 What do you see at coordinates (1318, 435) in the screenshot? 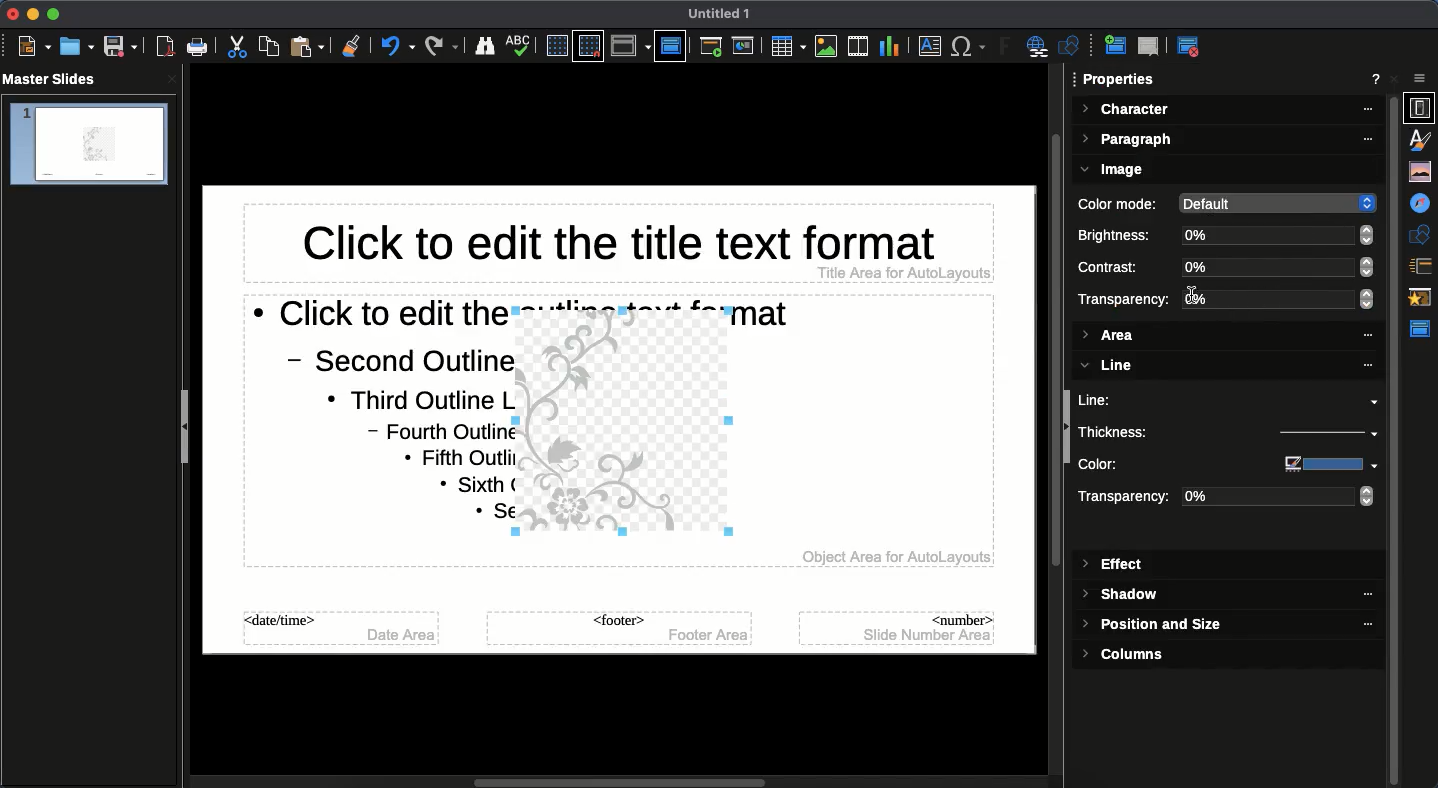
I see `thickness input` at bounding box center [1318, 435].